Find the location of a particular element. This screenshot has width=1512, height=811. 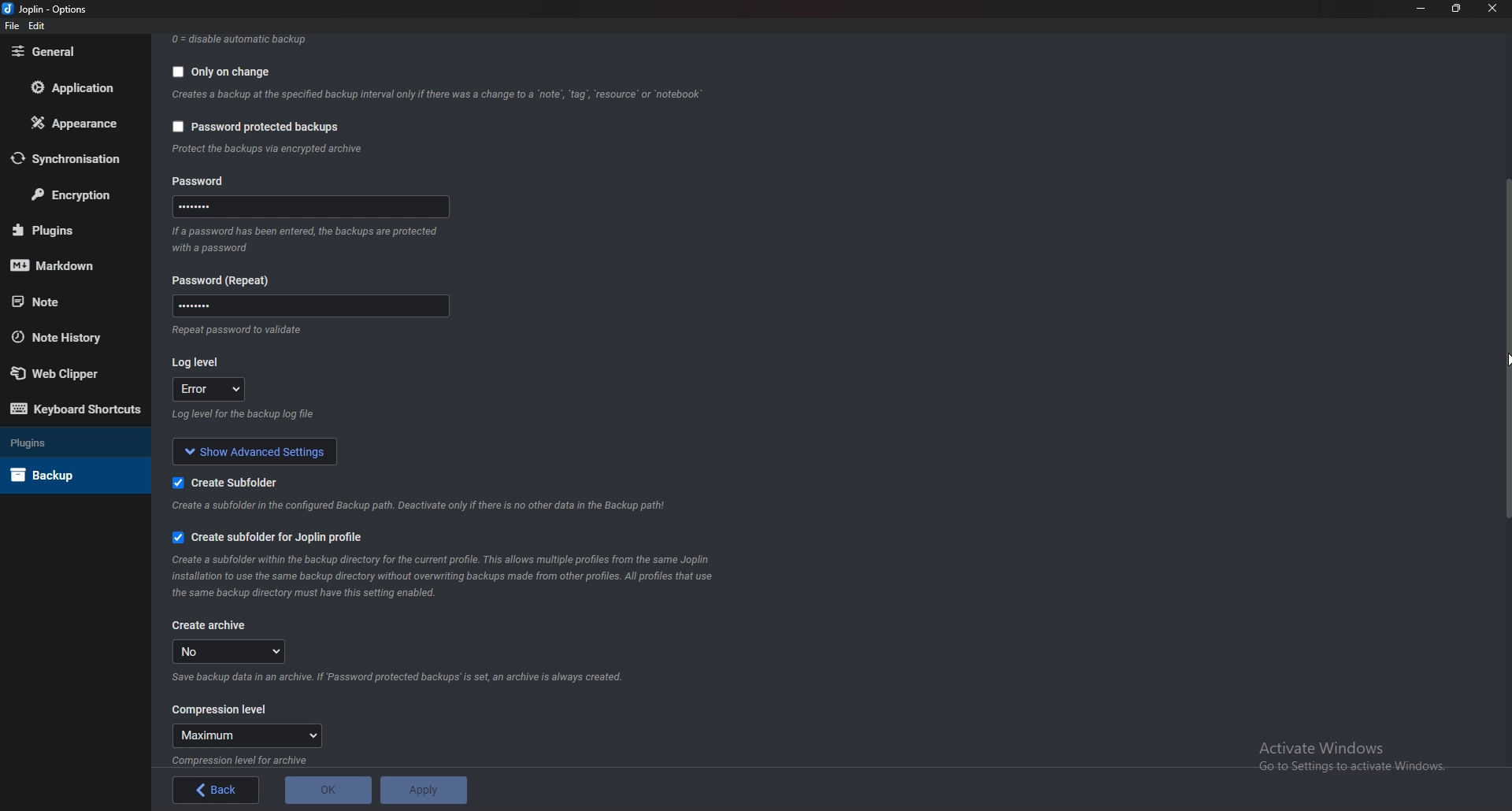

General is located at coordinates (73, 52).